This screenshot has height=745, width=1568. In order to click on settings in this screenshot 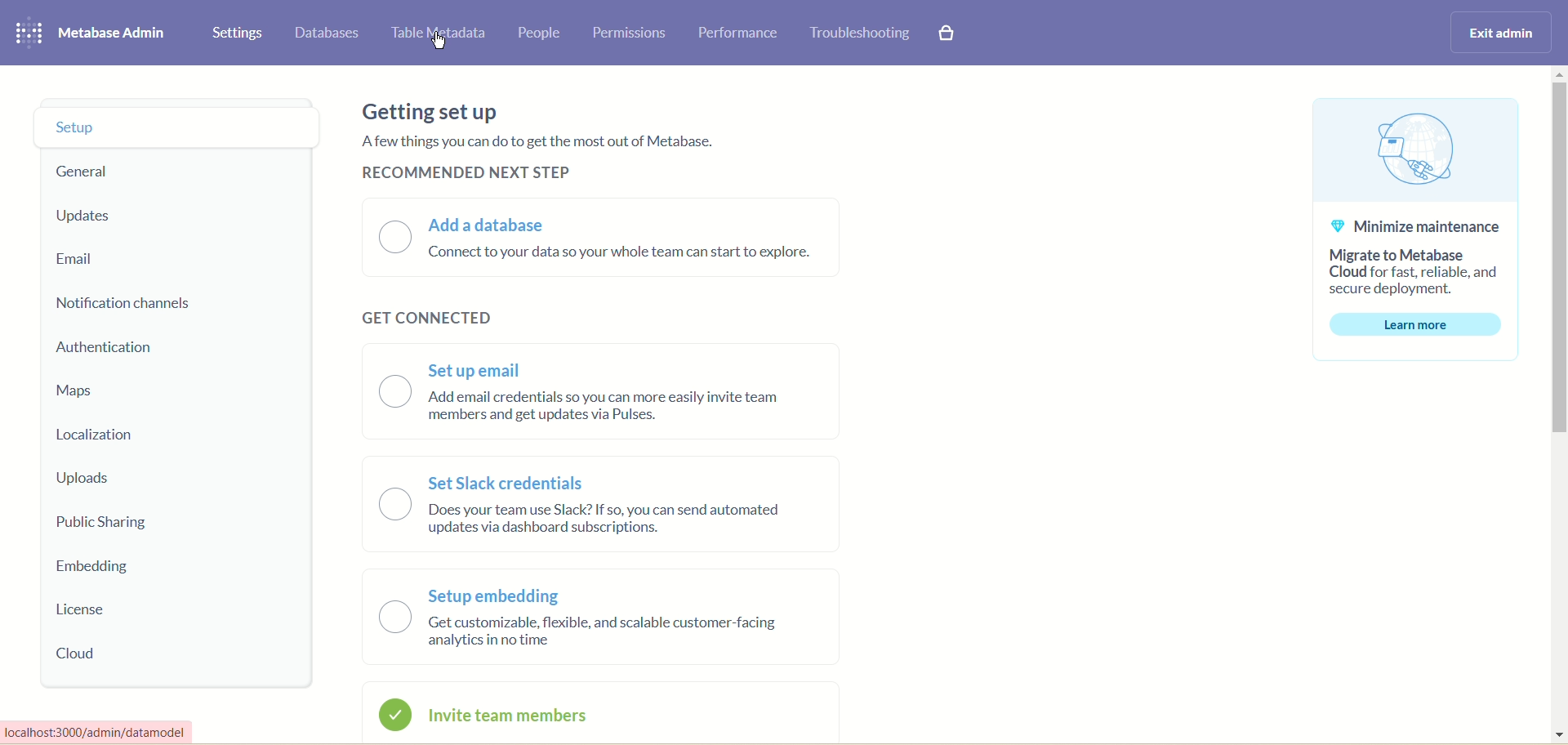, I will do `click(238, 33)`.